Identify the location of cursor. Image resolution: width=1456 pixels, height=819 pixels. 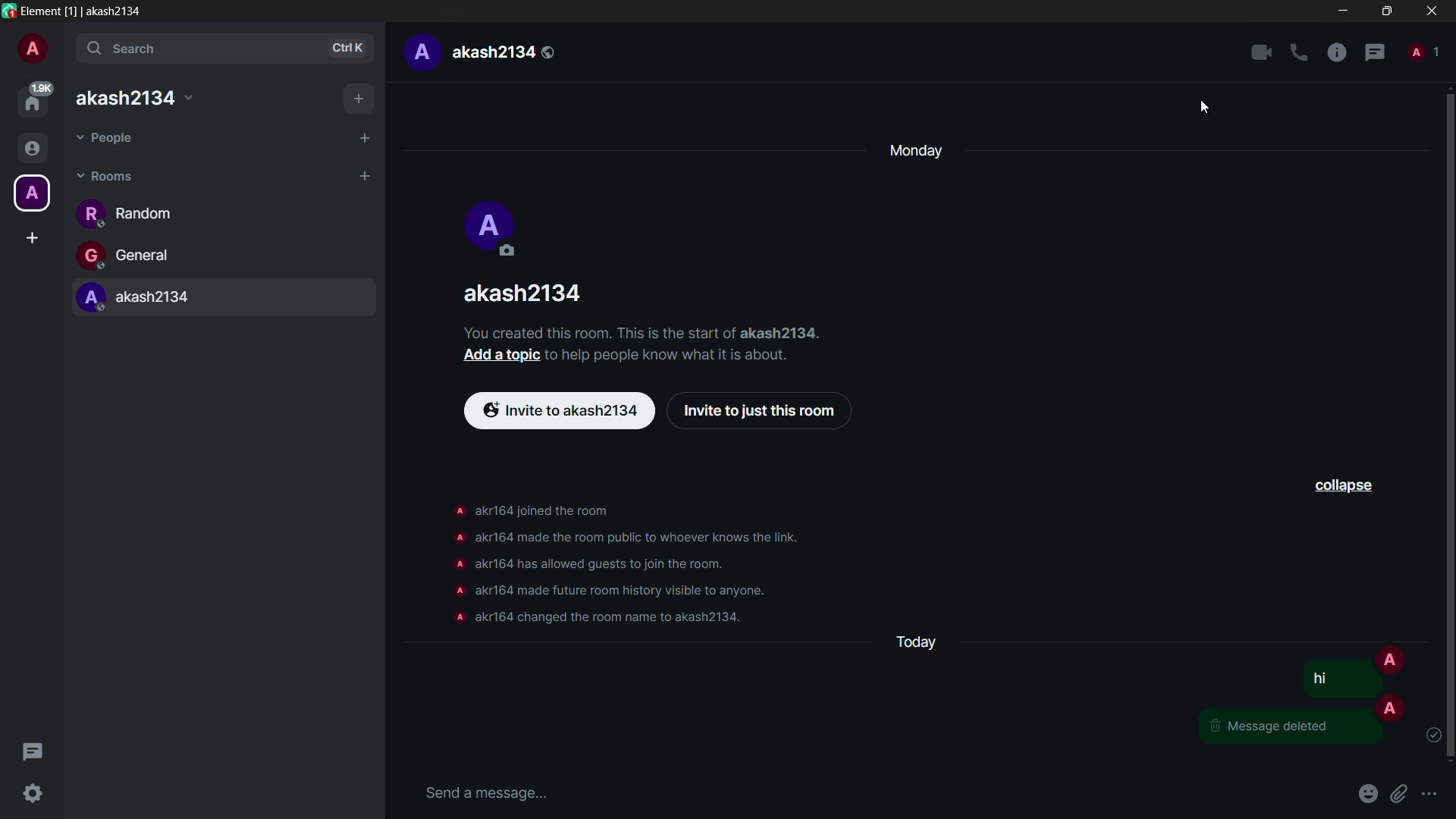
(1203, 109).